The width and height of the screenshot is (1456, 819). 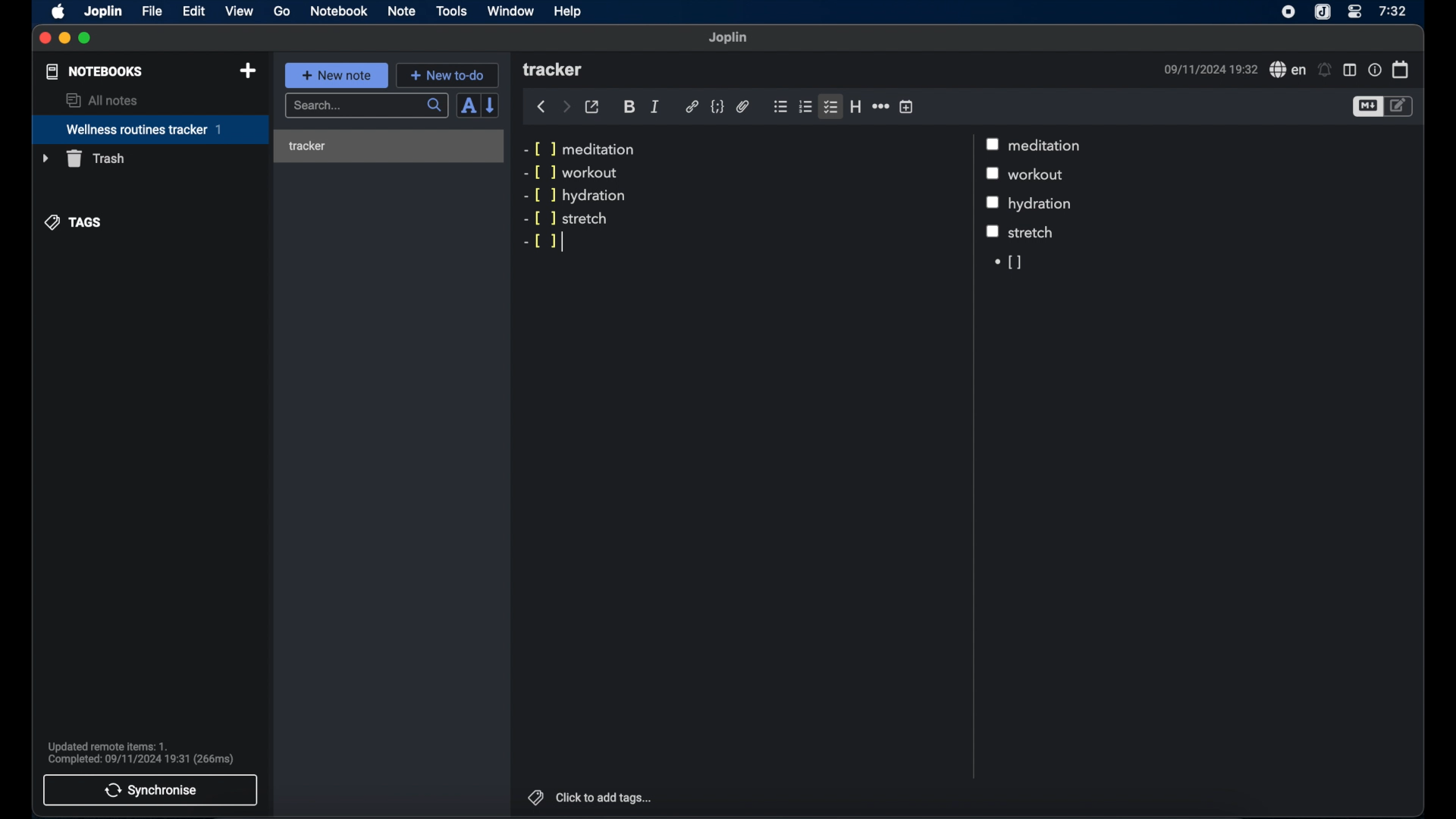 What do you see at coordinates (147, 751) in the screenshot?
I see `Updated remote items: 1. Complete: 09/11/2024 19:31 (266ms)` at bounding box center [147, 751].